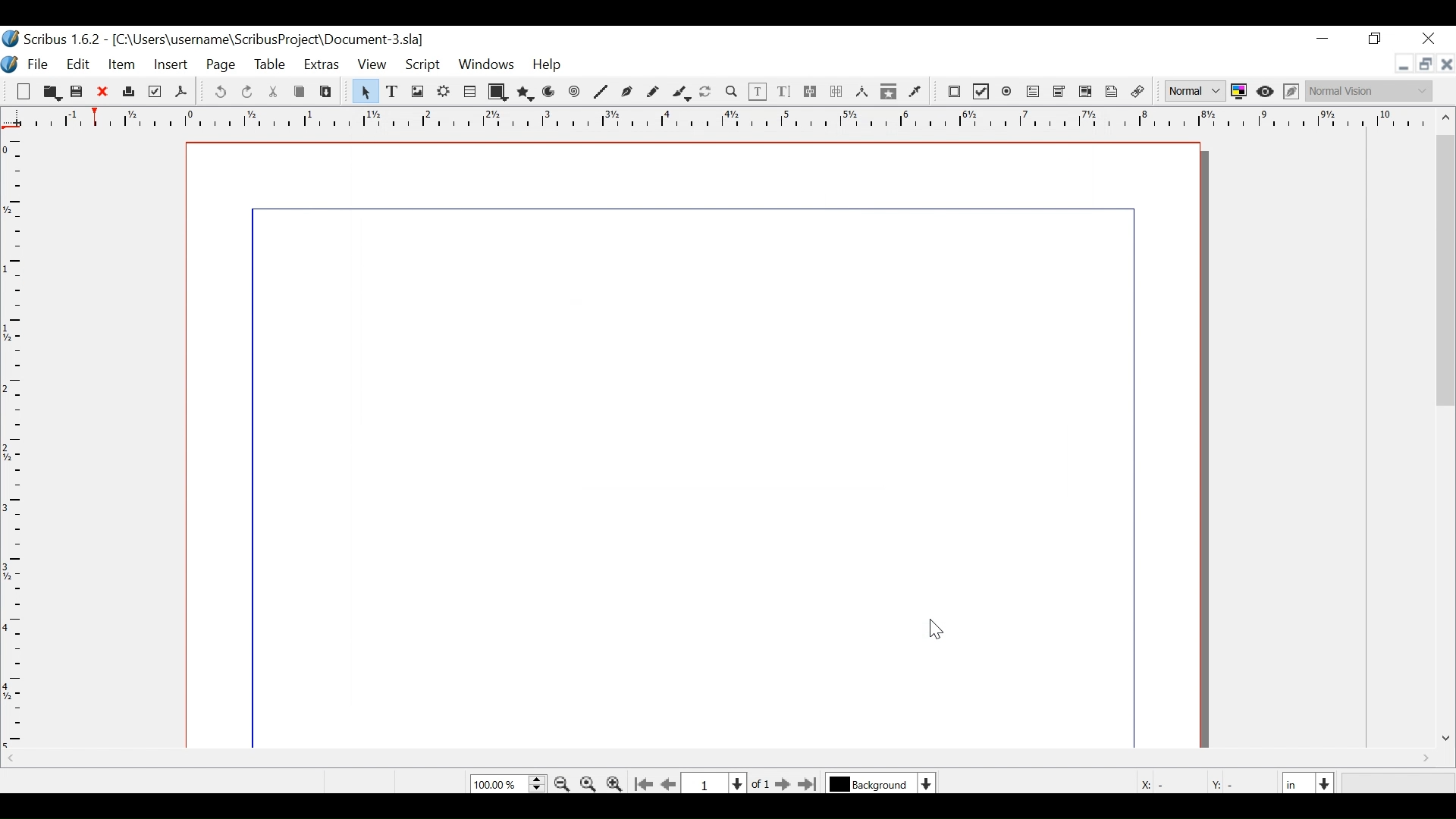  What do you see at coordinates (1375, 39) in the screenshot?
I see `Restore` at bounding box center [1375, 39].